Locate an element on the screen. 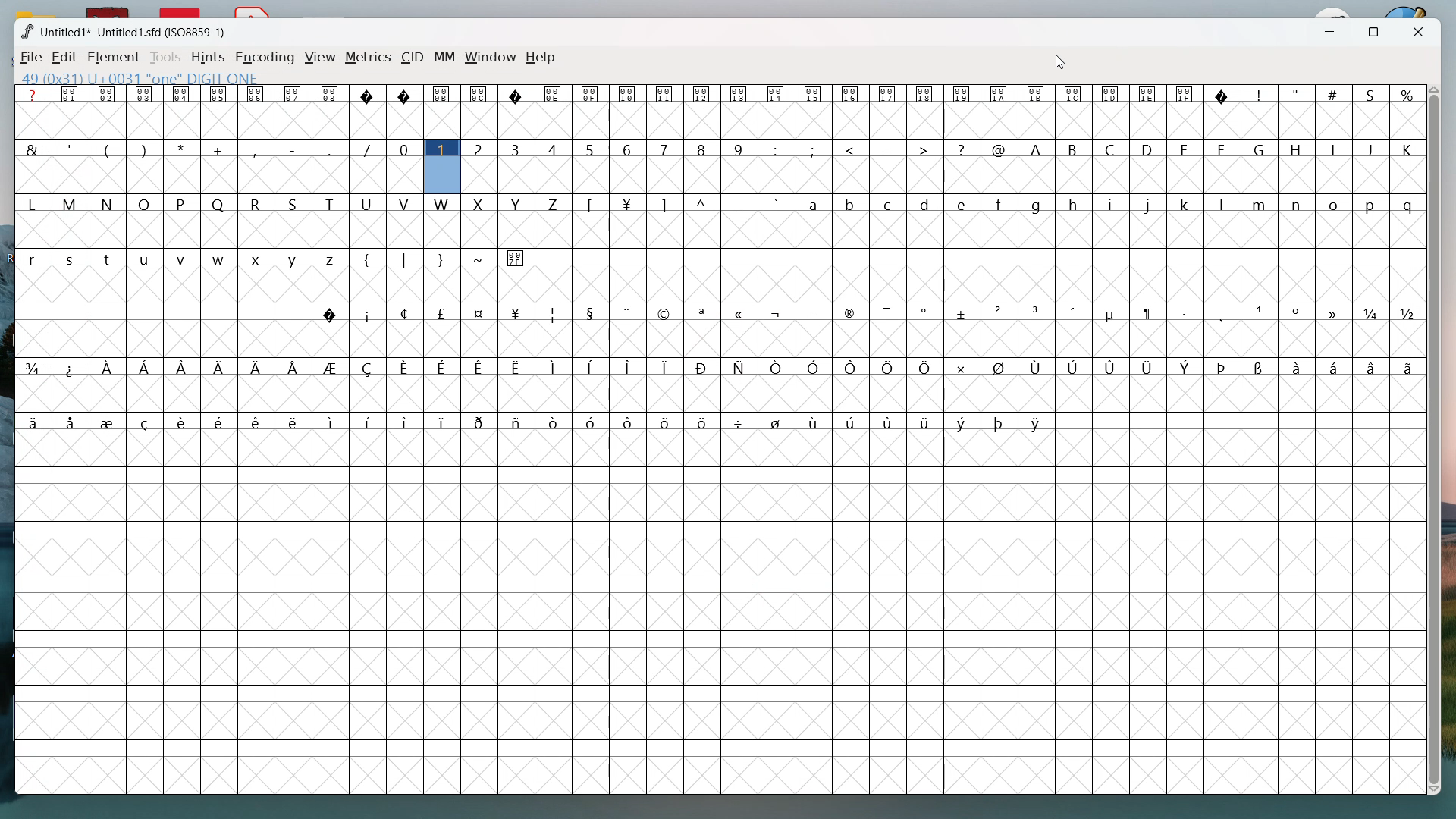  E is located at coordinates (1188, 149).